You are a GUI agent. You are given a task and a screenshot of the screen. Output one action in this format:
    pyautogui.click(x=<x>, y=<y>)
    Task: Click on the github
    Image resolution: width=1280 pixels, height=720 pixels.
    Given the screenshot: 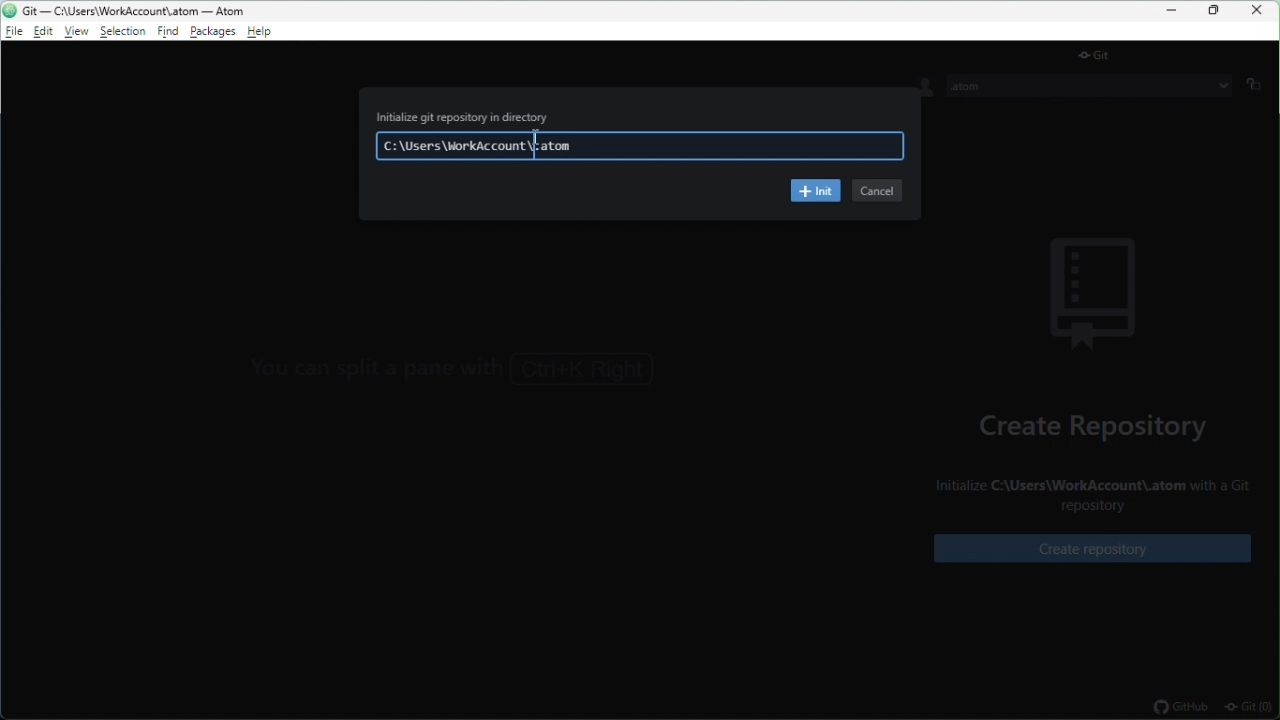 What is the action you would take?
    pyautogui.click(x=1180, y=709)
    